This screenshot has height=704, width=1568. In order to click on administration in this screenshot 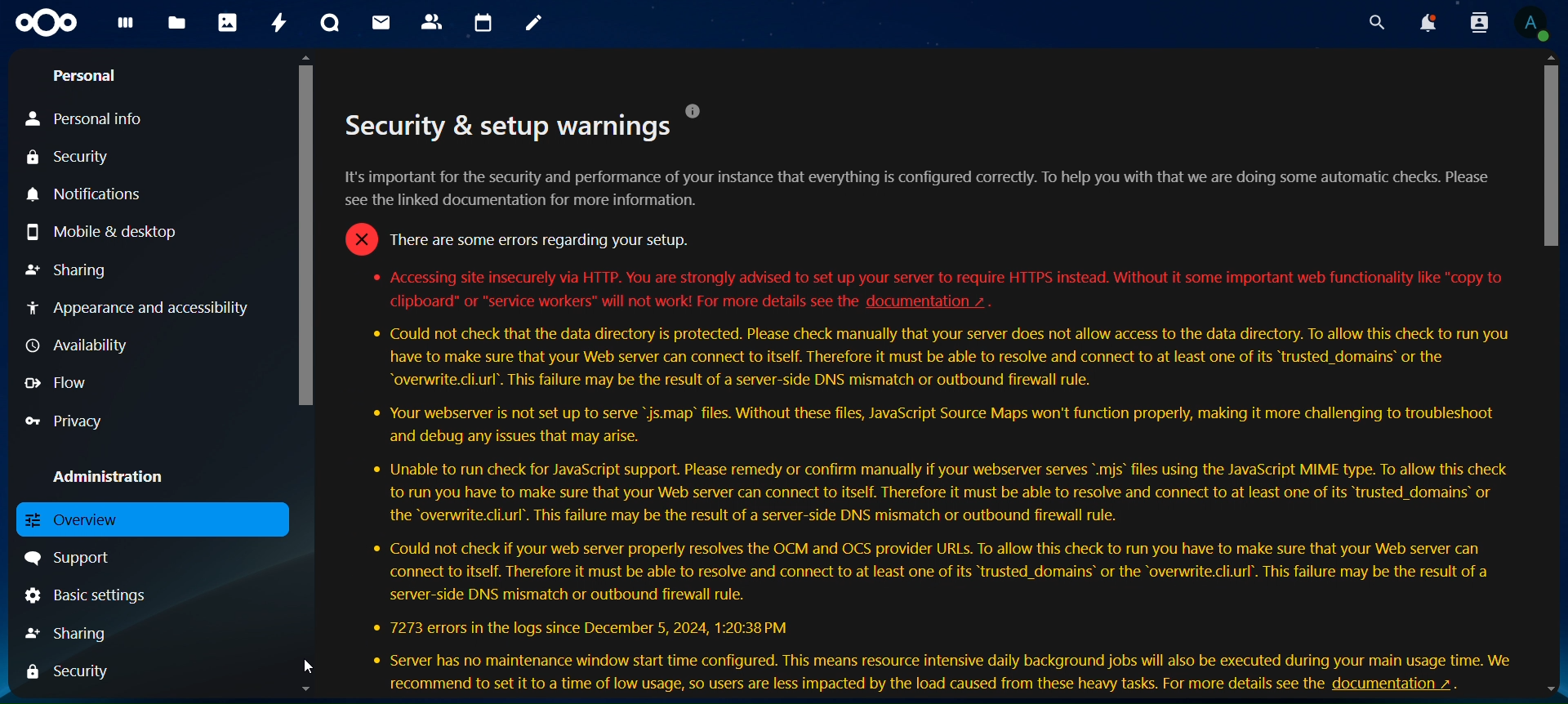, I will do `click(117, 477)`.